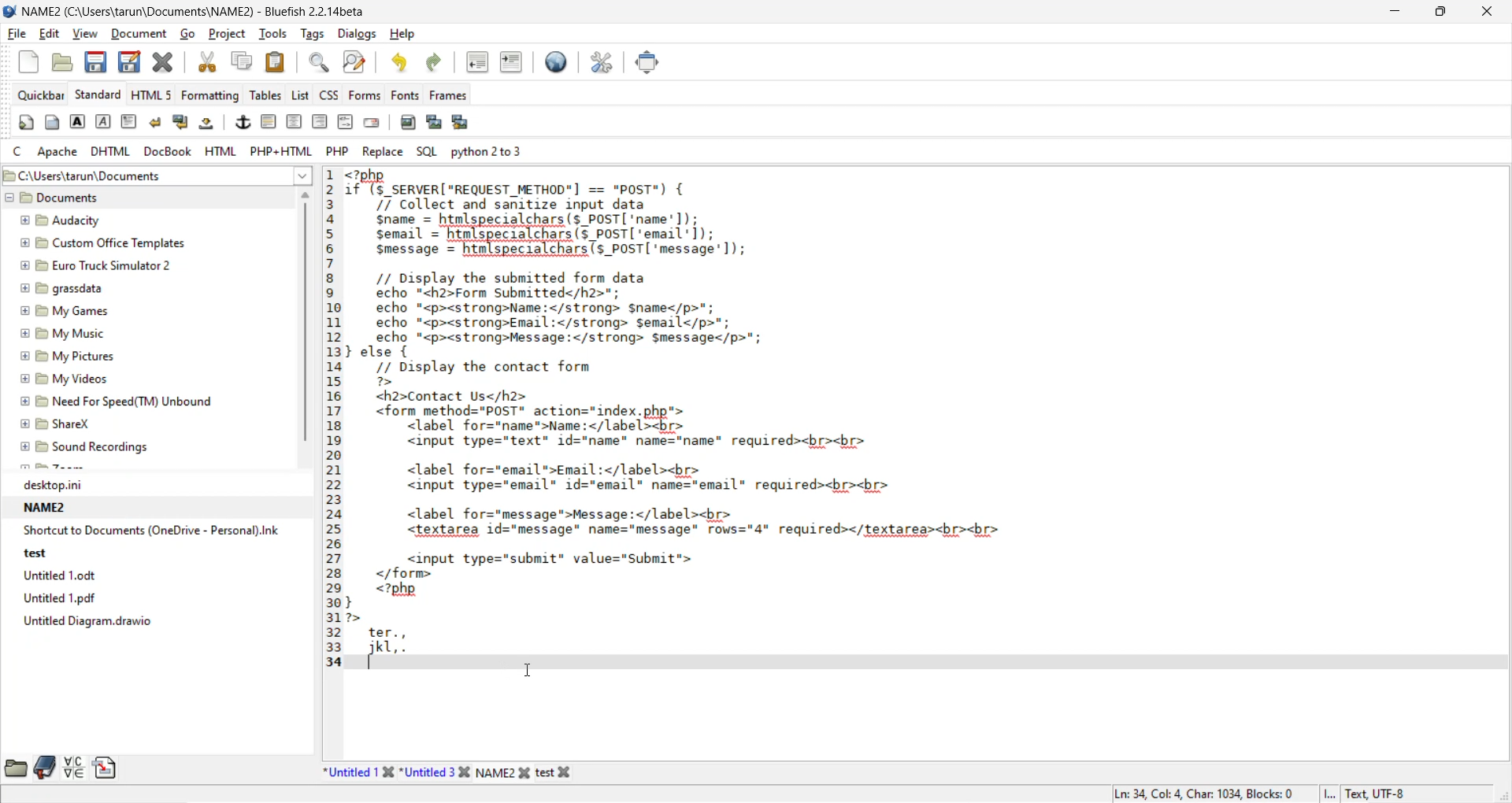 The height and width of the screenshot is (803, 1512). I want to click on indent, so click(510, 63).